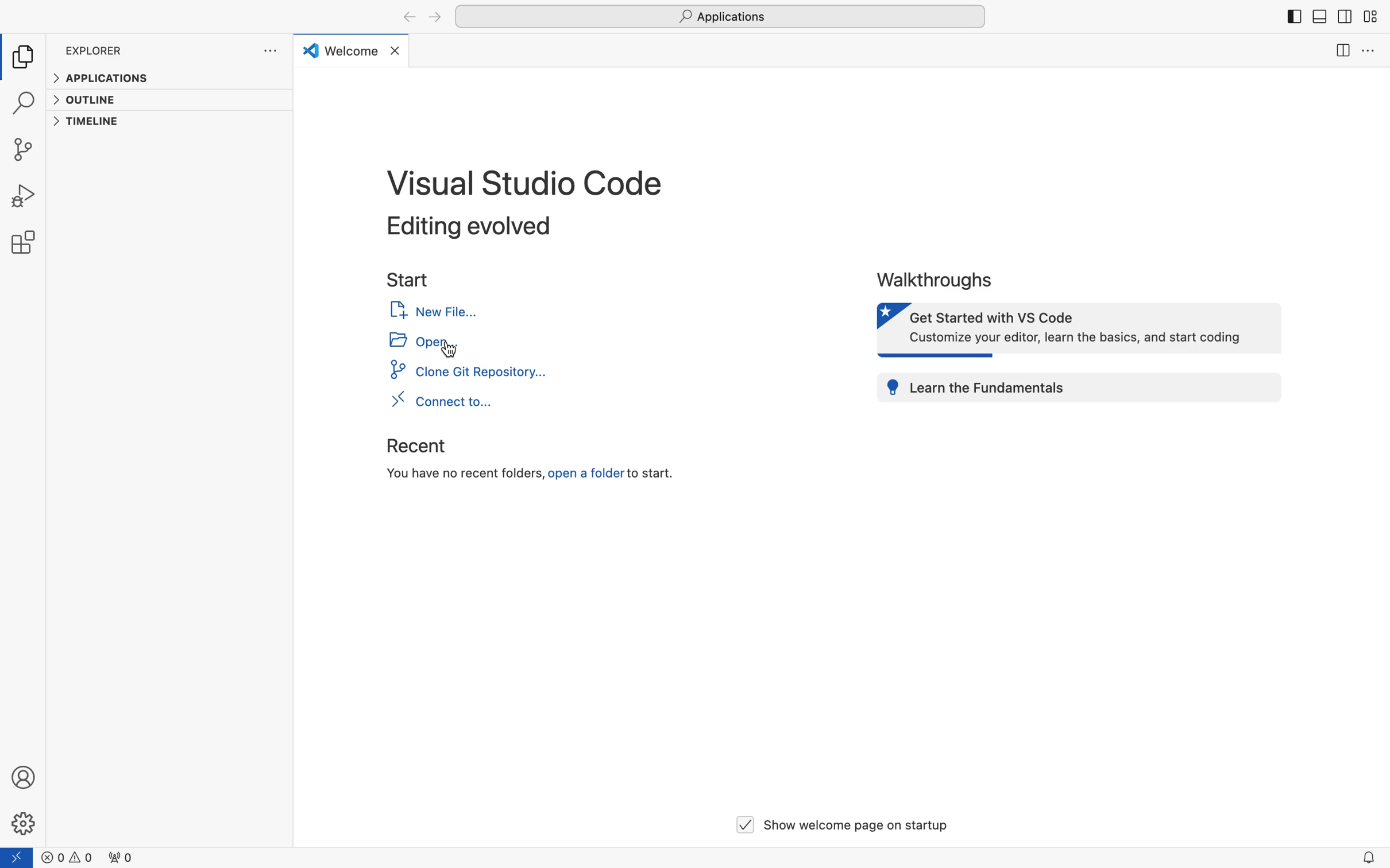 The height and width of the screenshot is (868, 1390). I want to click on toggle panel, so click(1319, 17).